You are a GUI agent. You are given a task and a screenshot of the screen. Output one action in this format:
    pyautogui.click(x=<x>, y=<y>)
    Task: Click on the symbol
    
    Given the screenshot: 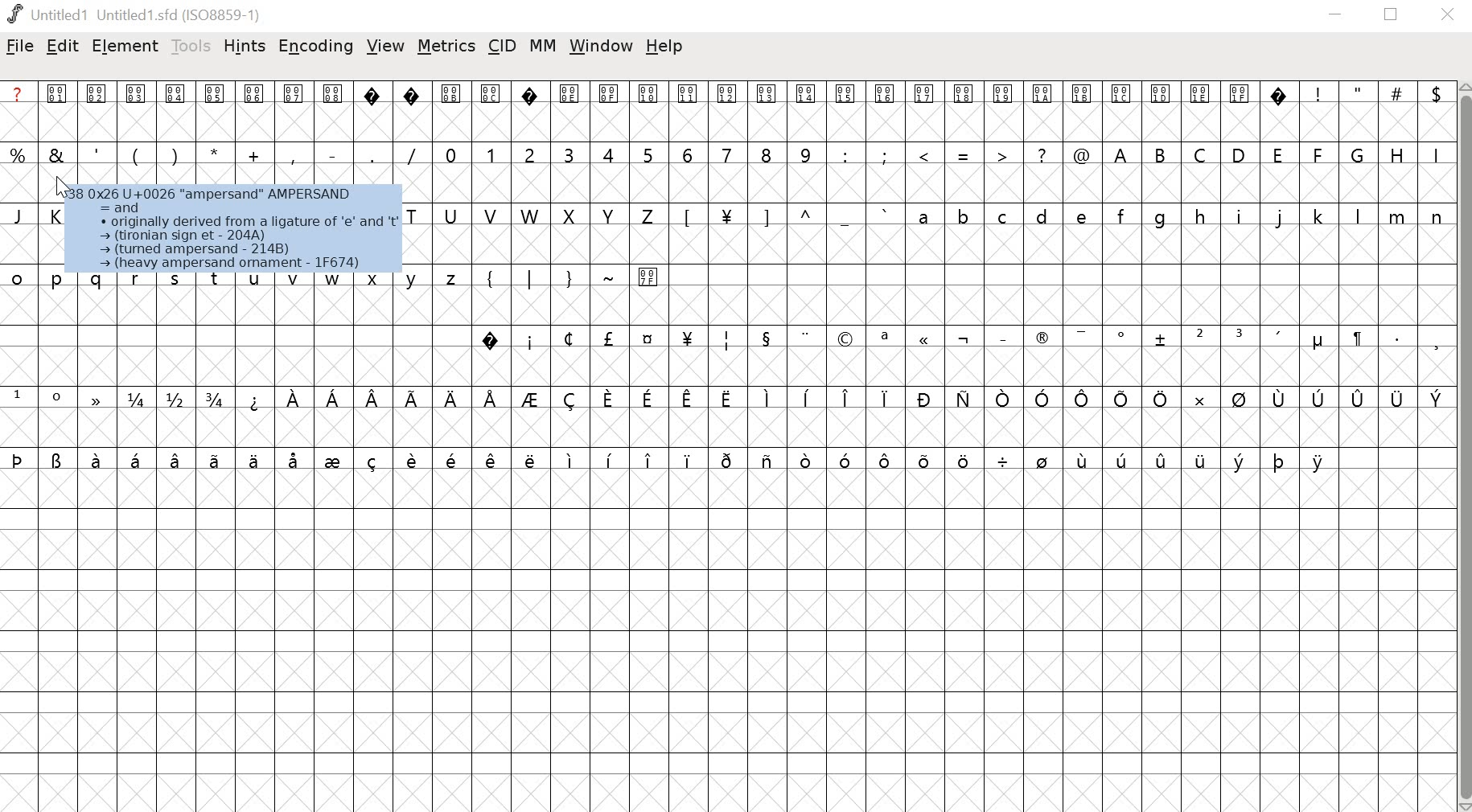 What is the action you would take?
    pyautogui.click(x=1163, y=457)
    